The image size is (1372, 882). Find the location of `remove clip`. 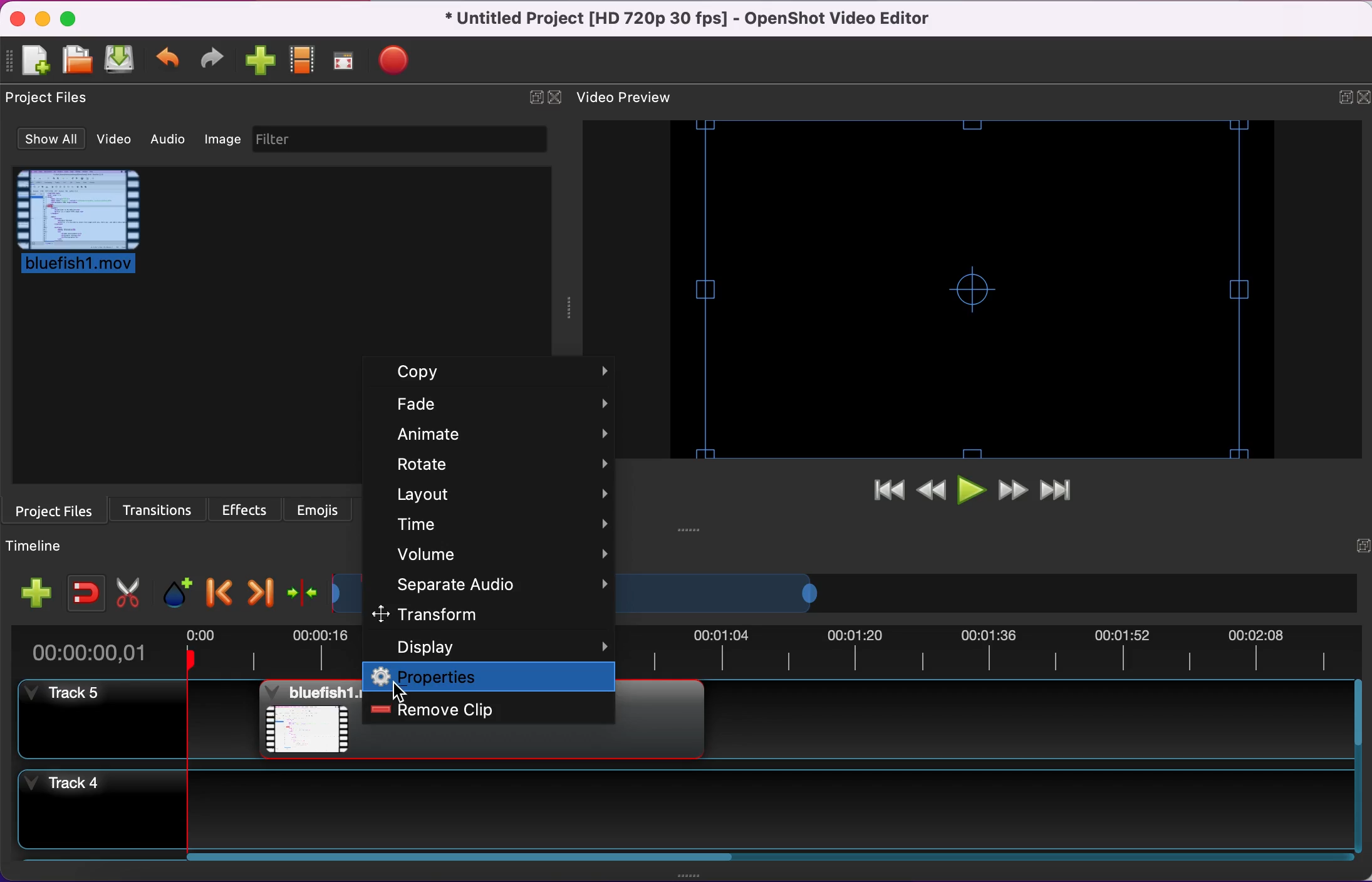

remove clip is located at coordinates (458, 709).